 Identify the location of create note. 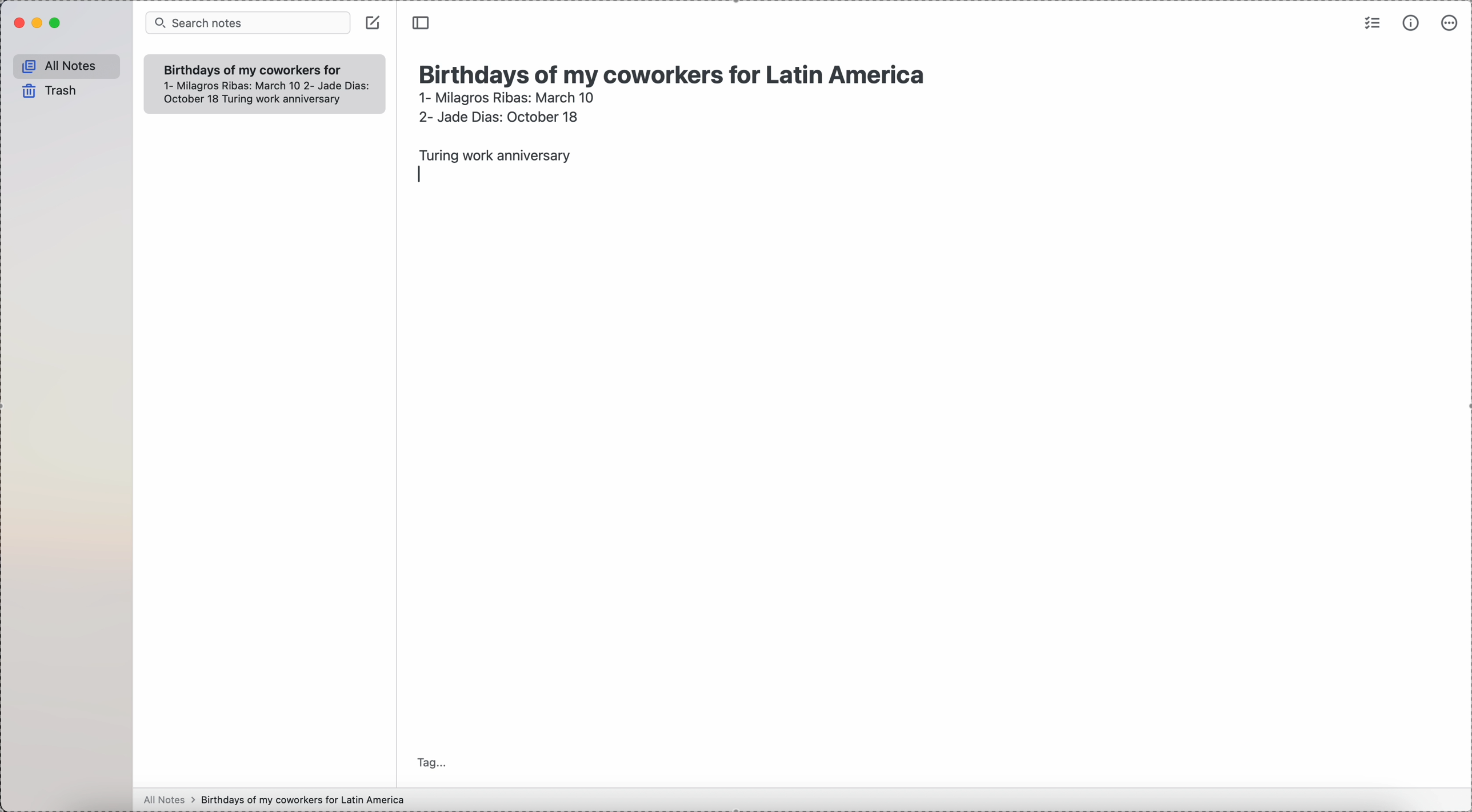
(373, 22).